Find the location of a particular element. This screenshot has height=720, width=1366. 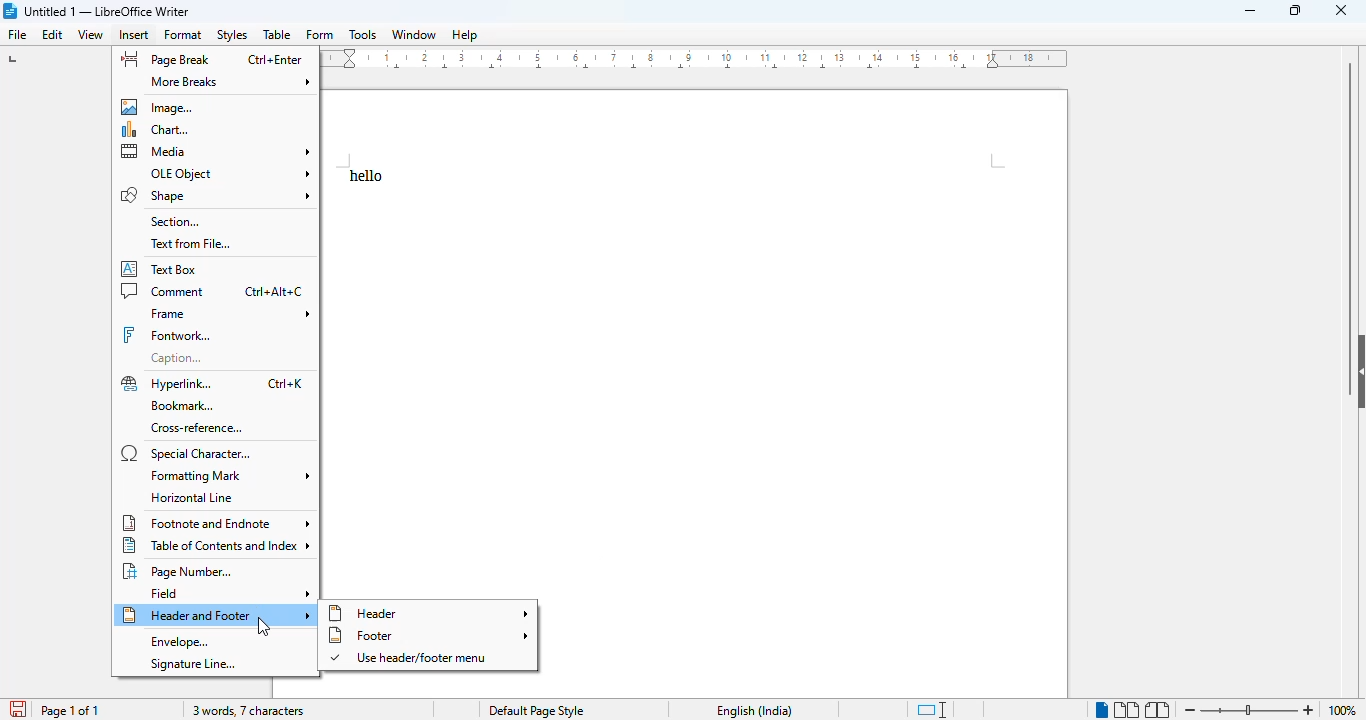

text is located at coordinates (366, 176).